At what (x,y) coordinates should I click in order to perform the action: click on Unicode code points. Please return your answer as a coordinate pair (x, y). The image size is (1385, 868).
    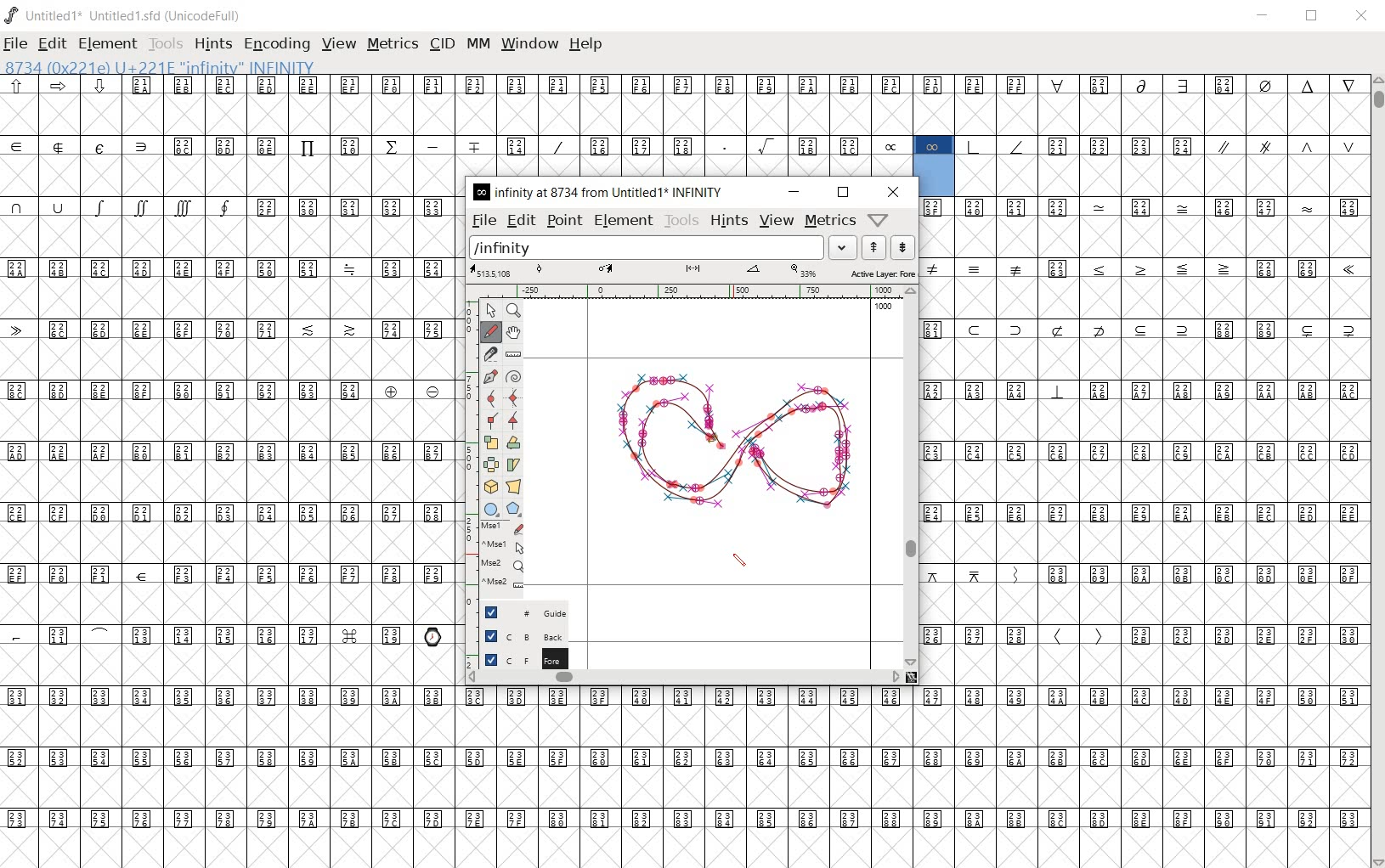
    Looking at the image, I should click on (212, 634).